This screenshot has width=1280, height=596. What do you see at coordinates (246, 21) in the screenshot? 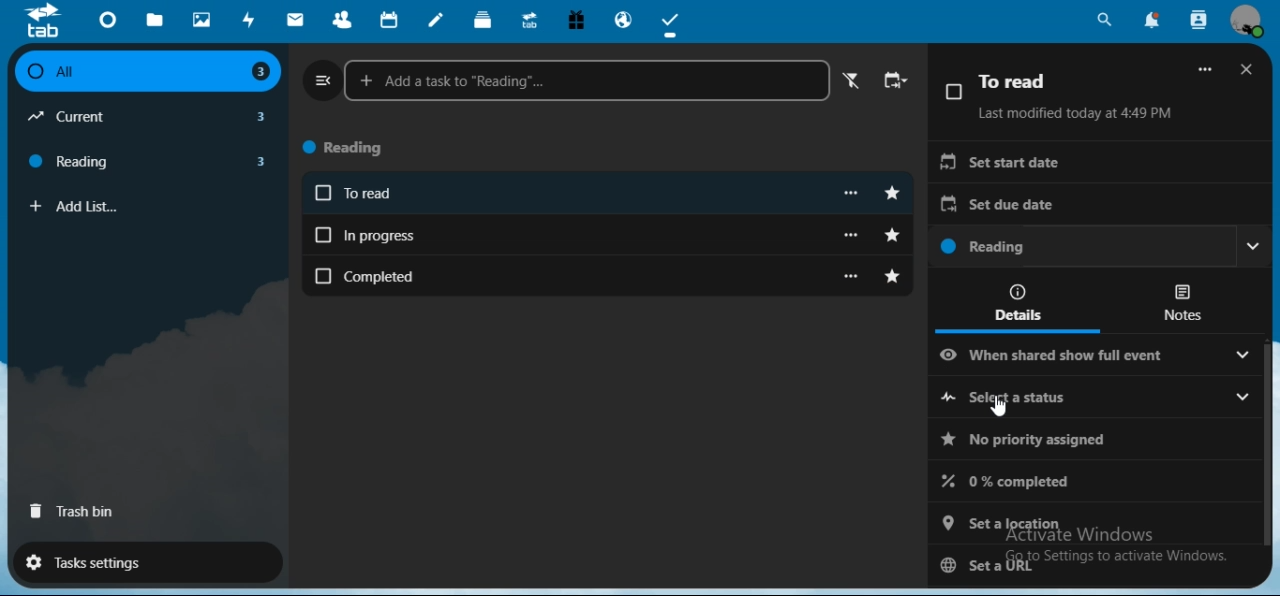
I see `activity` at bounding box center [246, 21].